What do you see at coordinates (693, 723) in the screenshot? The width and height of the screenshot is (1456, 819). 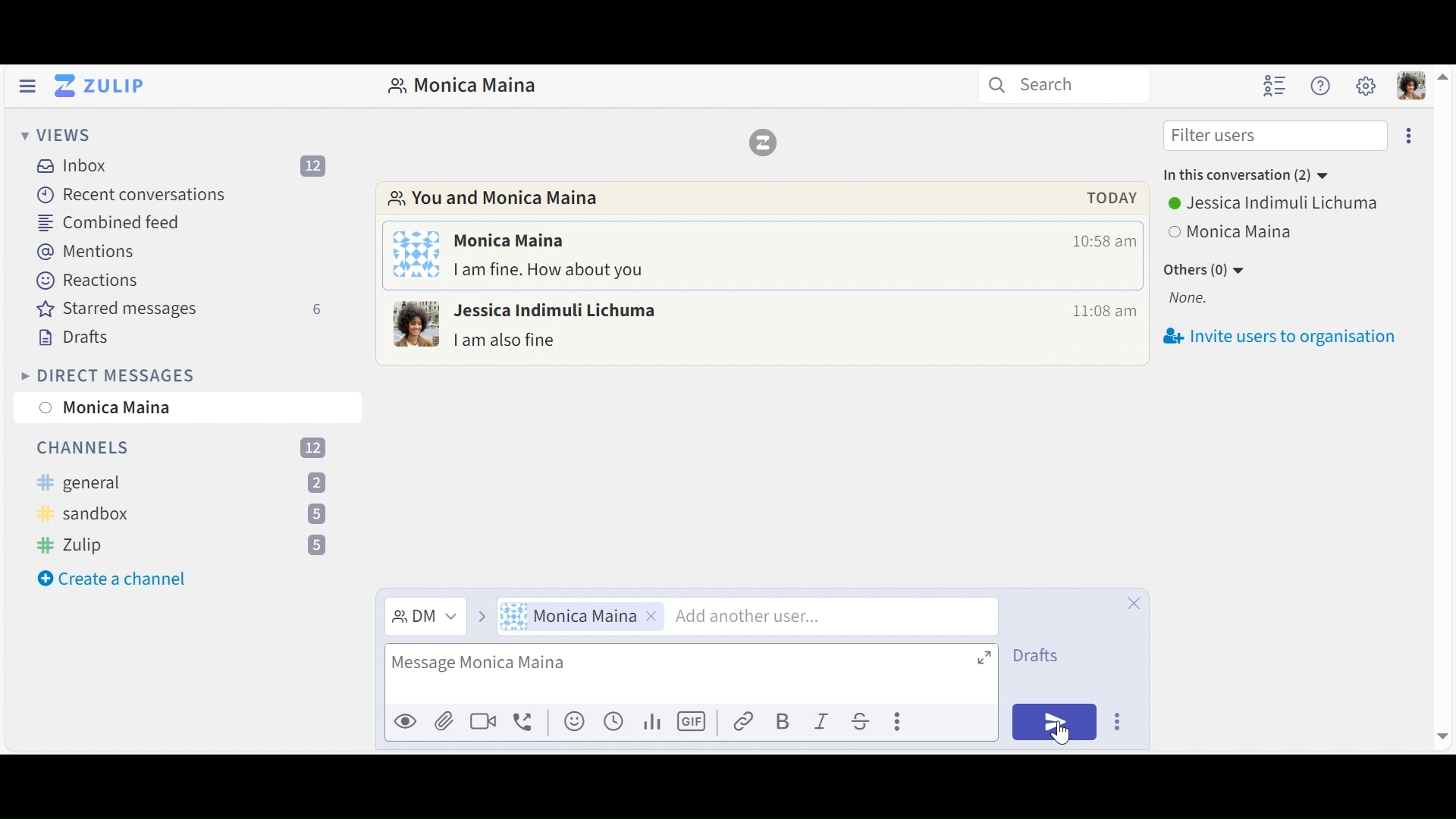 I see `Add GIF` at bounding box center [693, 723].